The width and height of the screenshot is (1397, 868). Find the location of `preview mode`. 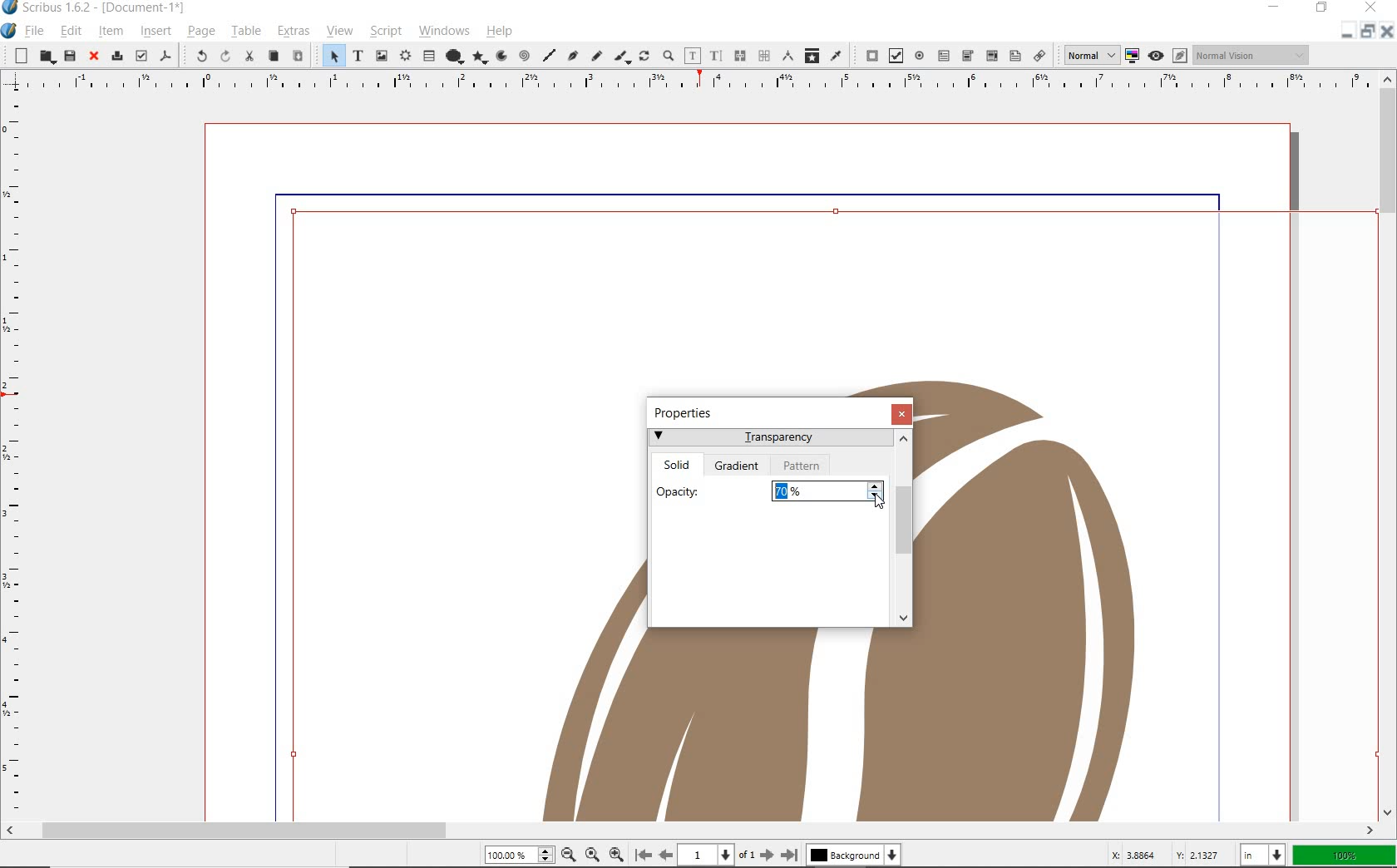

preview mode is located at coordinates (1167, 56).